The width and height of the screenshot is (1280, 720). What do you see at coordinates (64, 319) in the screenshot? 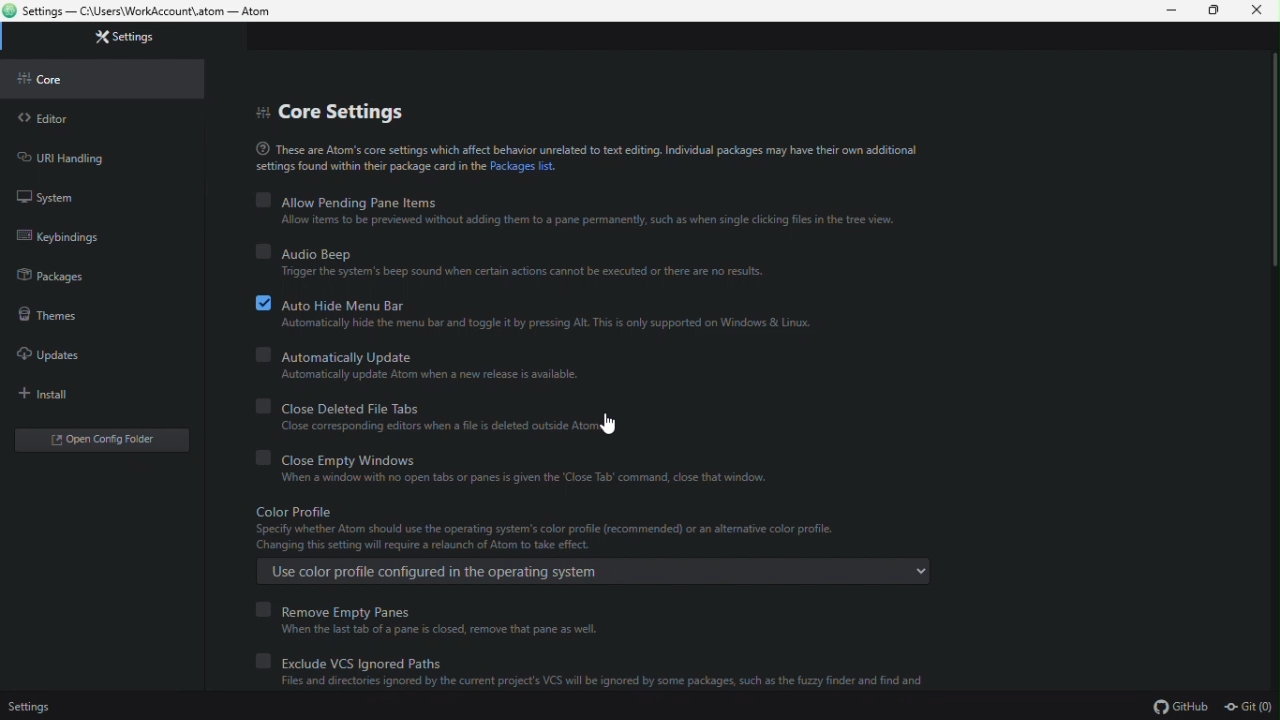
I see `Themes` at bounding box center [64, 319].